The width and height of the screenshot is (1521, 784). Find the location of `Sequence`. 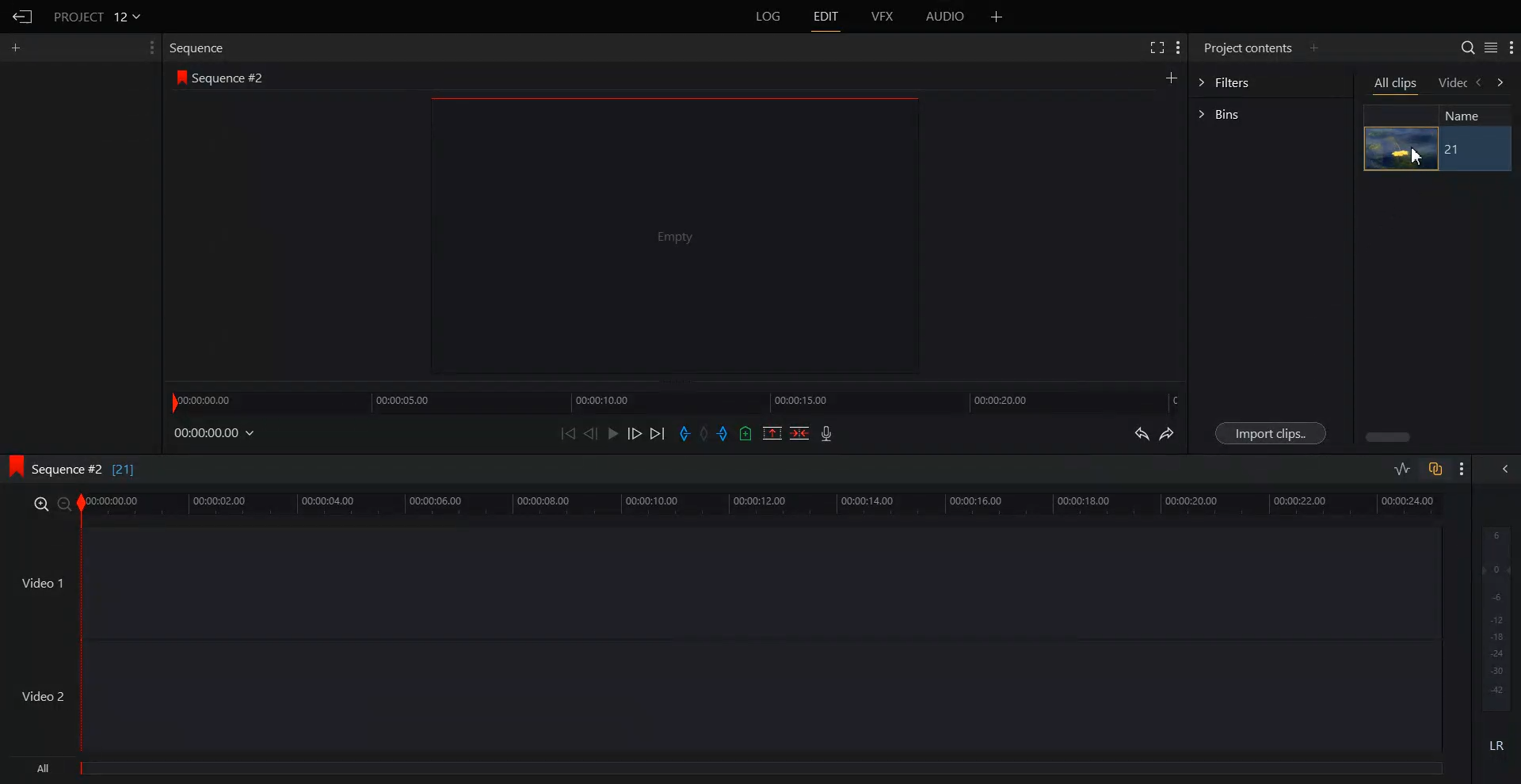

Sequence is located at coordinates (201, 48).